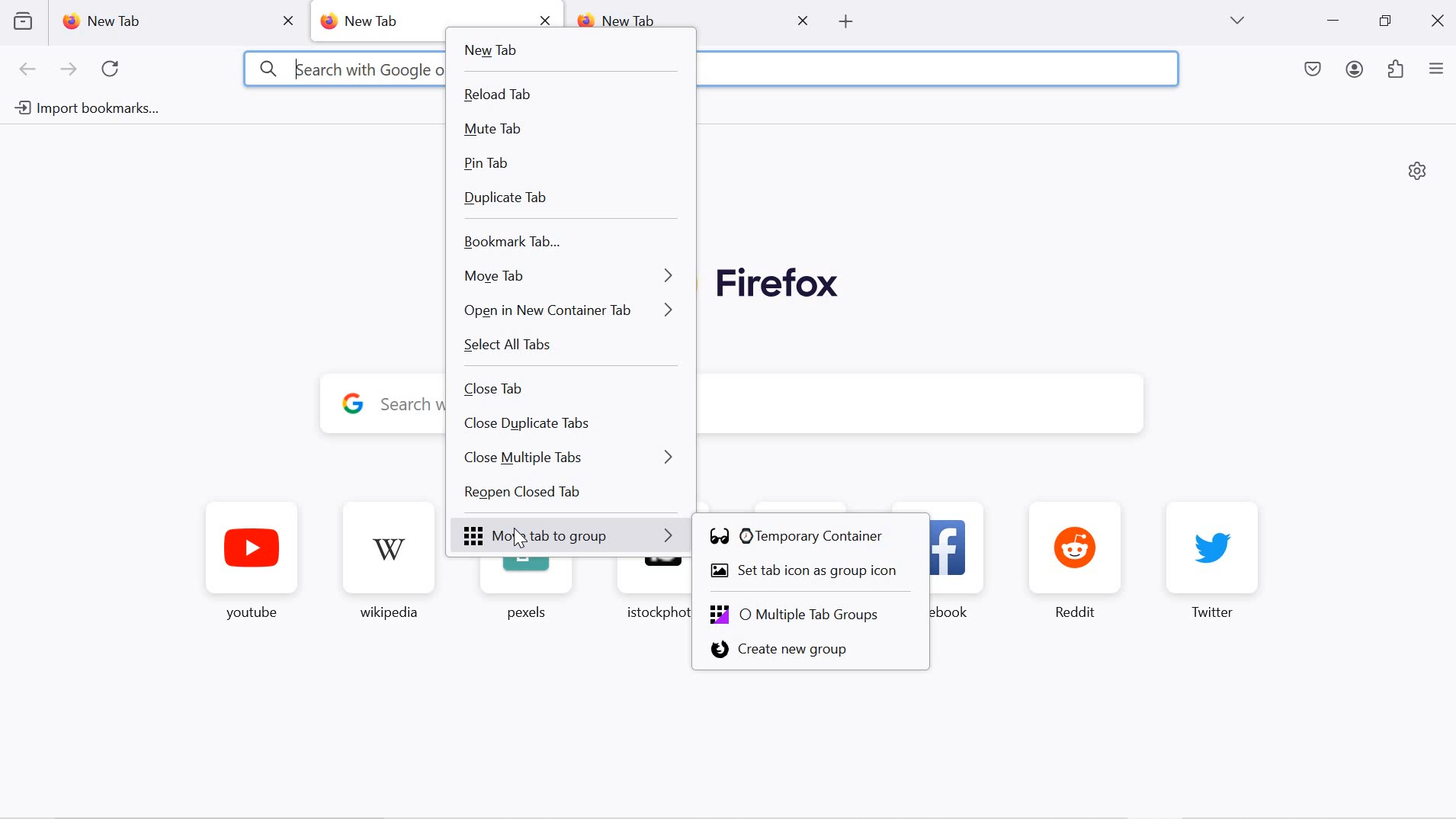 This screenshot has height=819, width=1456. What do you see at coordinates (573, 240) in the screenshot?
I see `bookmark tab` at bounding box center [573, 240].